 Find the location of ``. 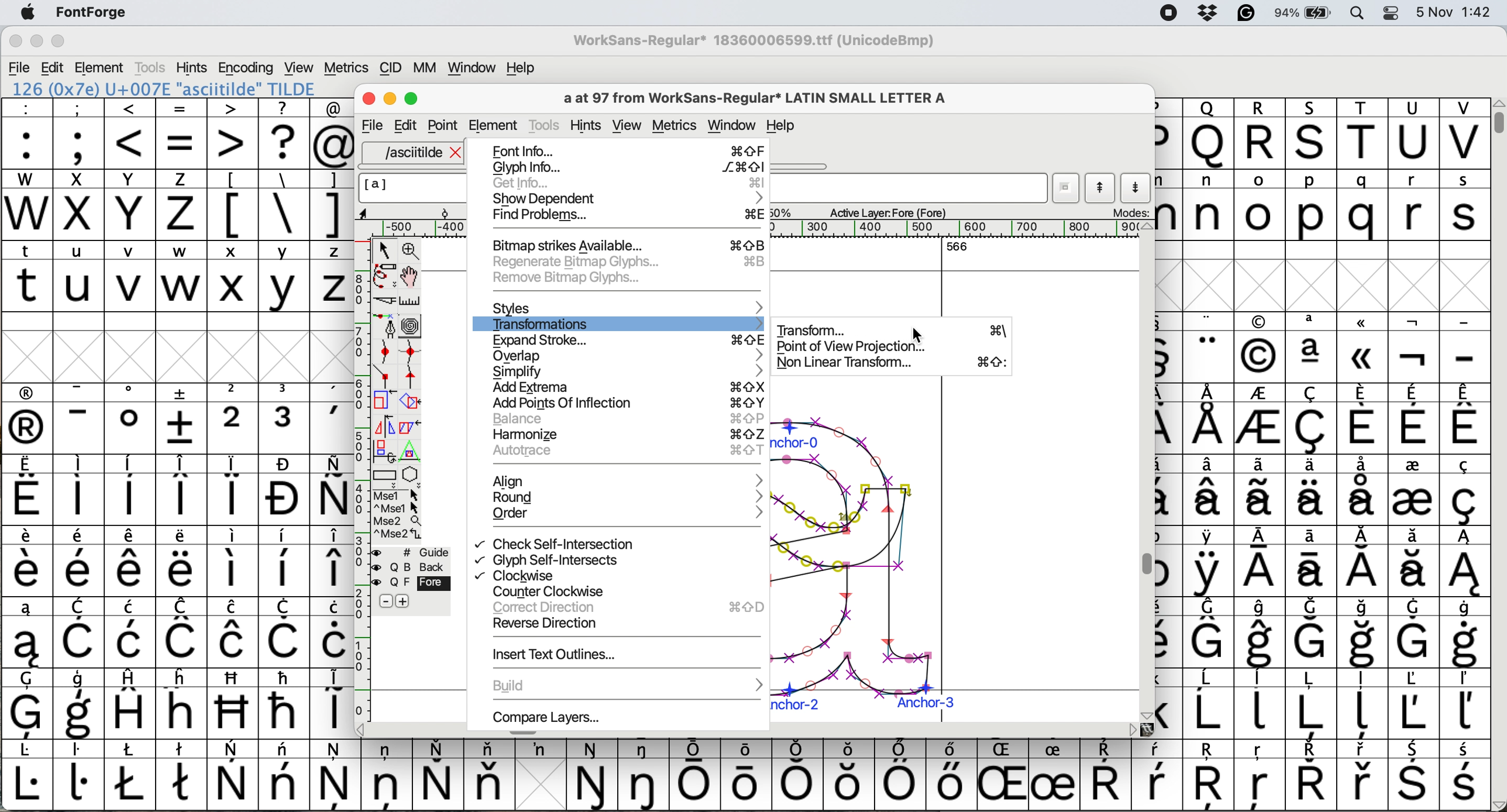

 is located at coordinates (1261, 776).